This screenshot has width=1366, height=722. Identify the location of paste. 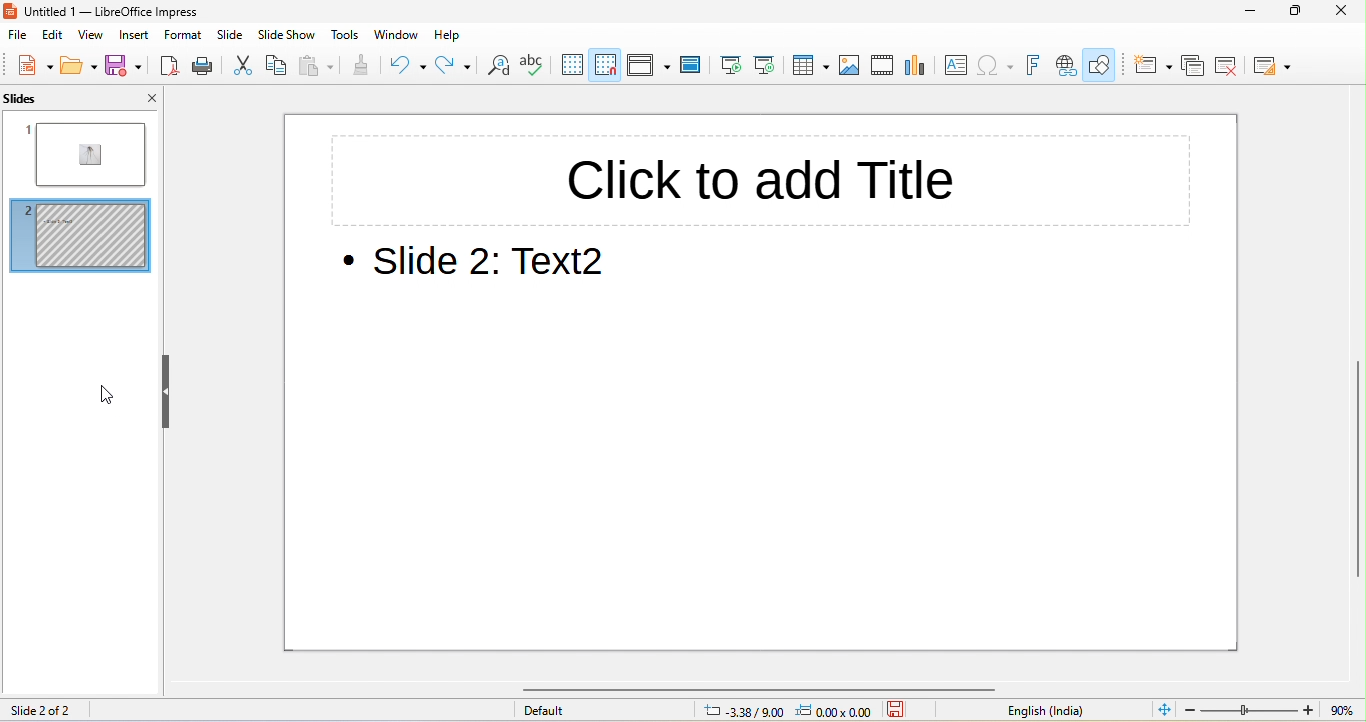
(320, 66).